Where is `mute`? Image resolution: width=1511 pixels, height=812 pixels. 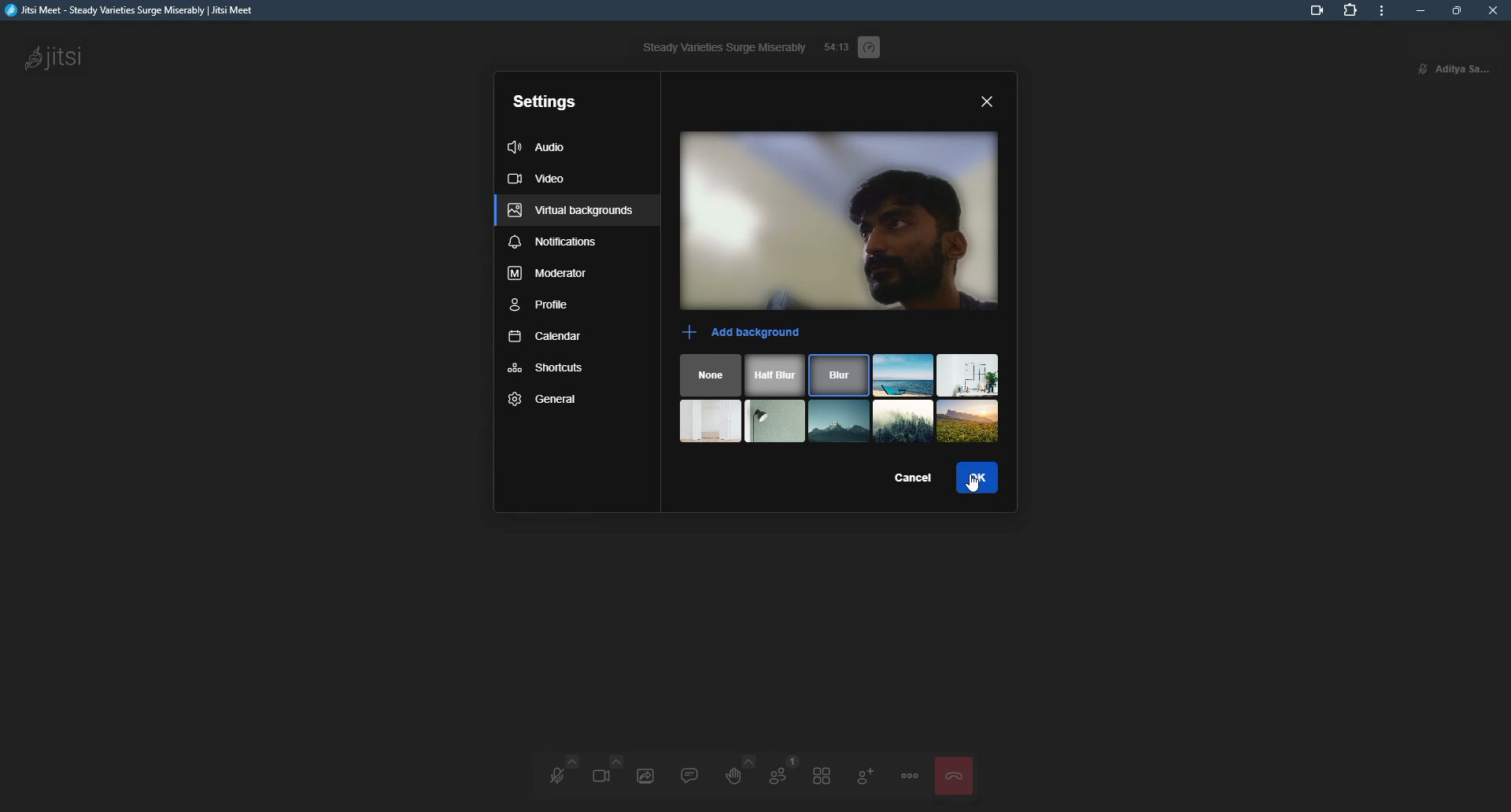 mute is located at coordinates (1419, 70).